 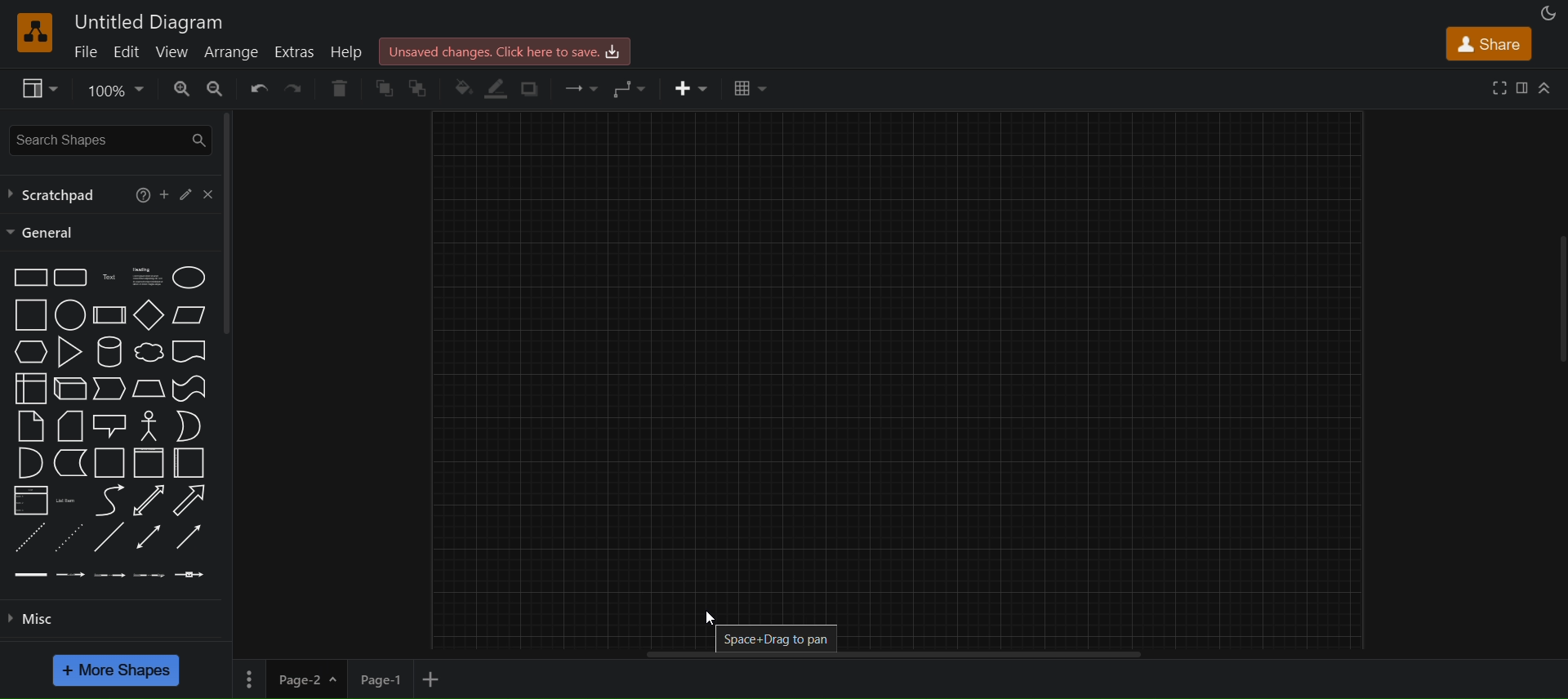 I want to click on vertical scrollbar, so click(x=1561, y=299).